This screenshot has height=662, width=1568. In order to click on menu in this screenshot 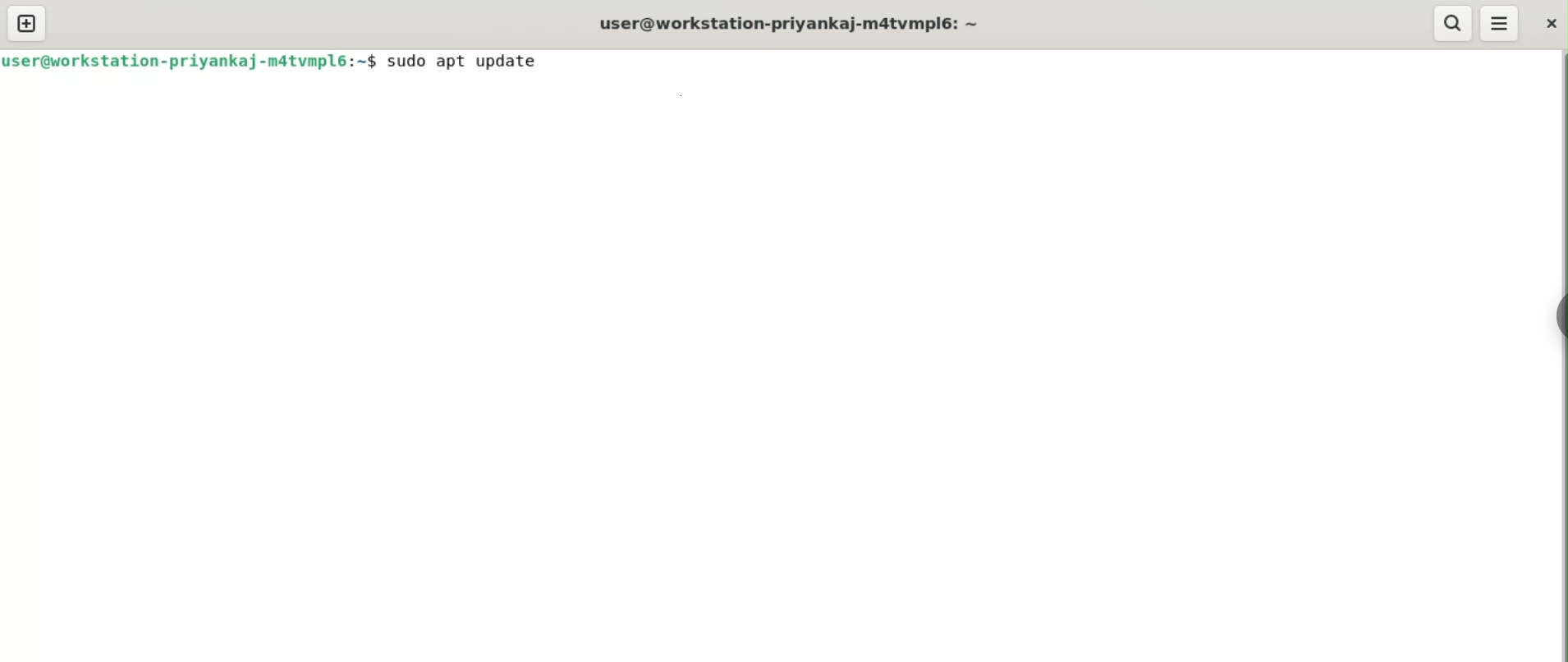, I will do `click(1500, 22)`.